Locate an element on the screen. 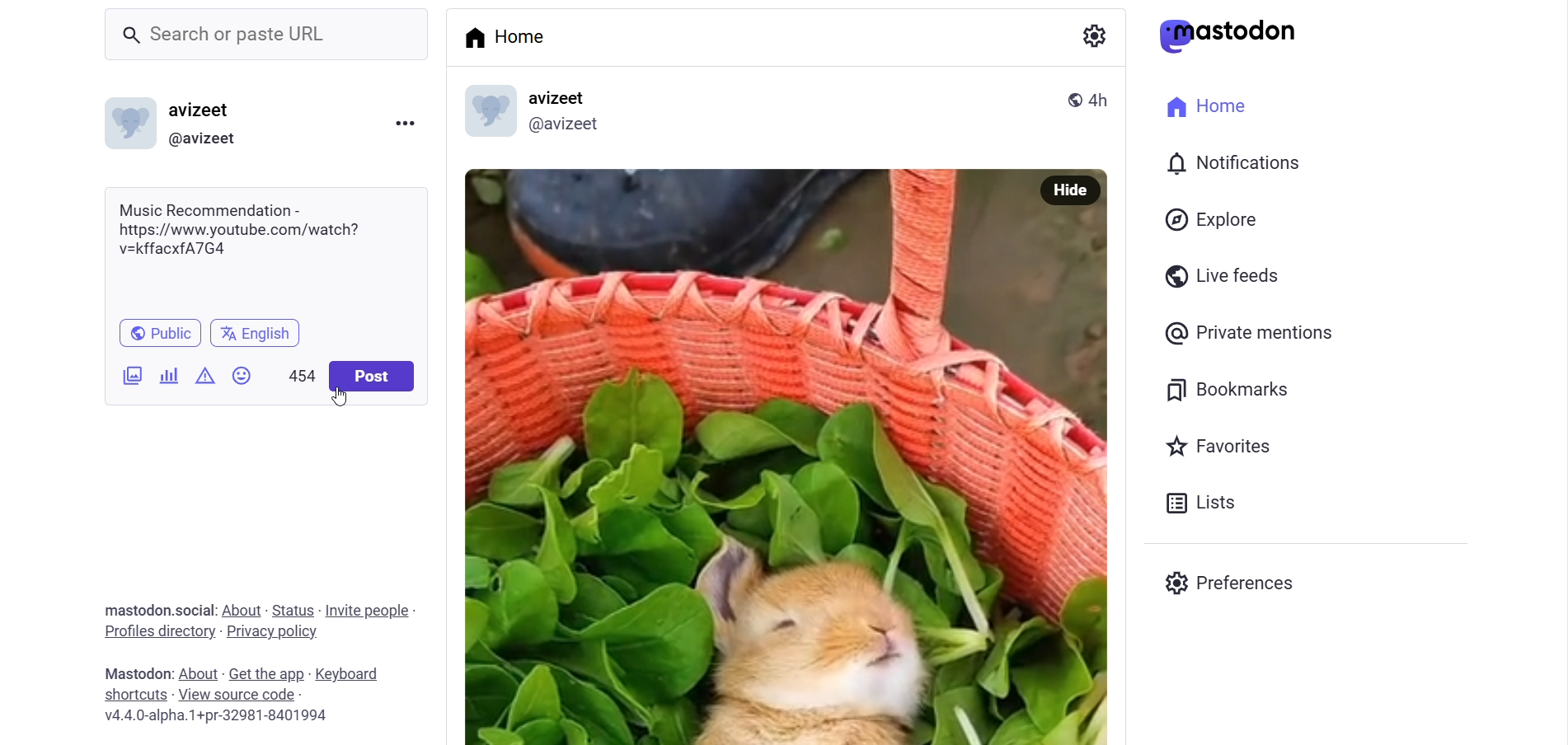 The height and width of the screenshot is (745, 1568). Home is located at coordinates (1210, 105).